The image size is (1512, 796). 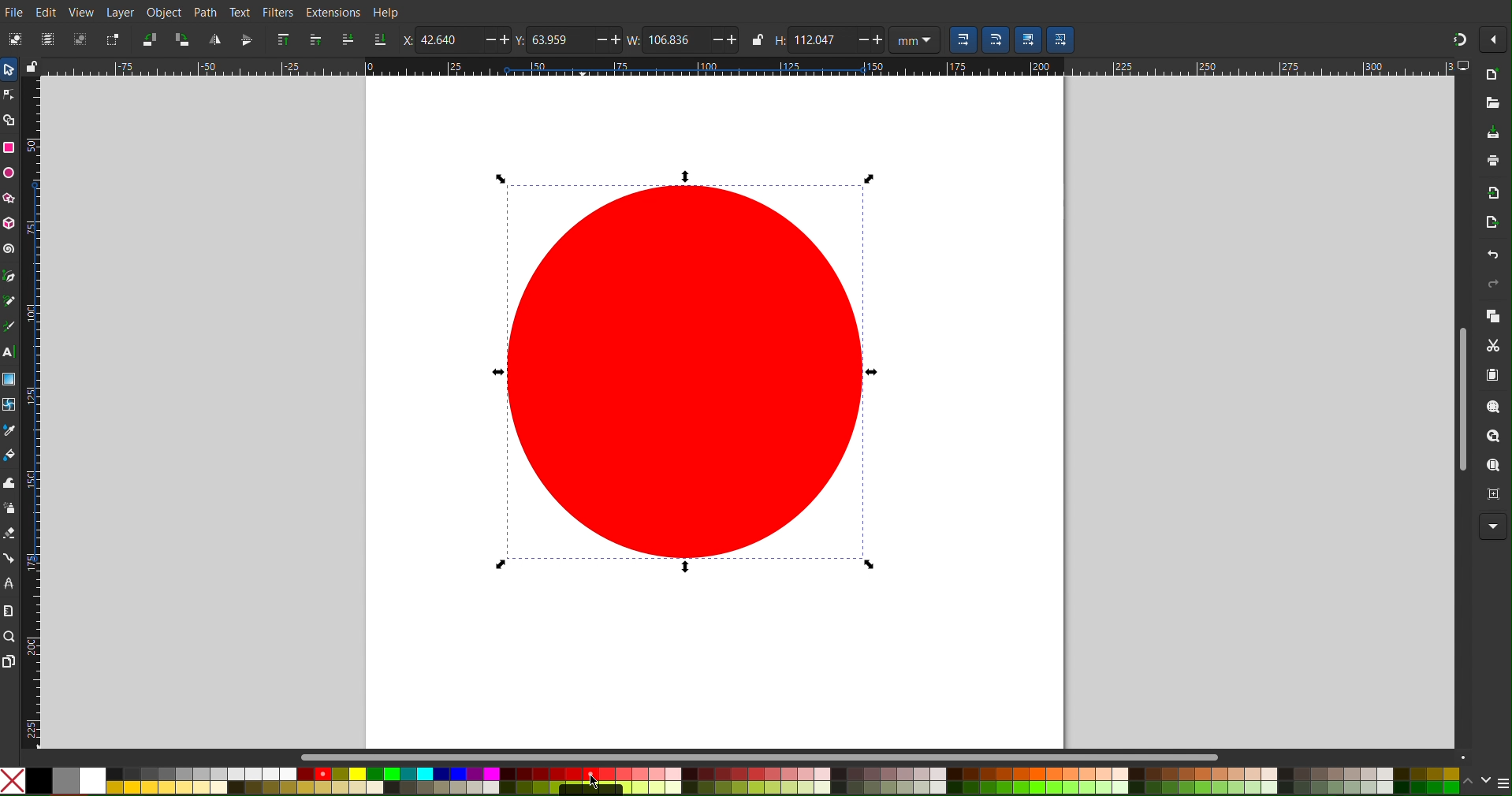 I want to click on File, so click(x=15, y=11).